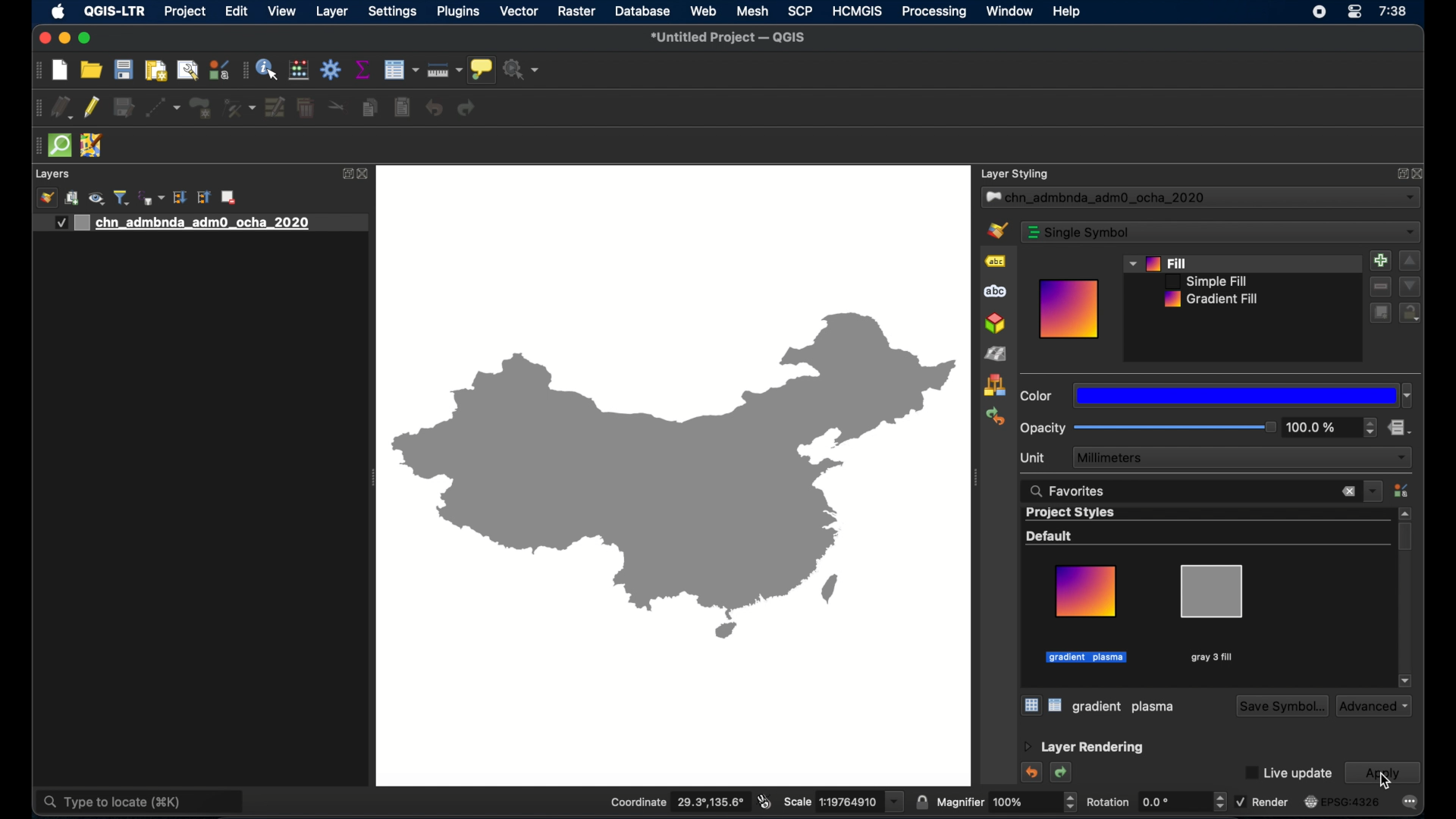 Image resolution: width=1456 pixels, height=819 pixels. What do you see at coordinates (92, 107) in the screenshot?
I see `toggle editing` at bounding box center [92, 107].